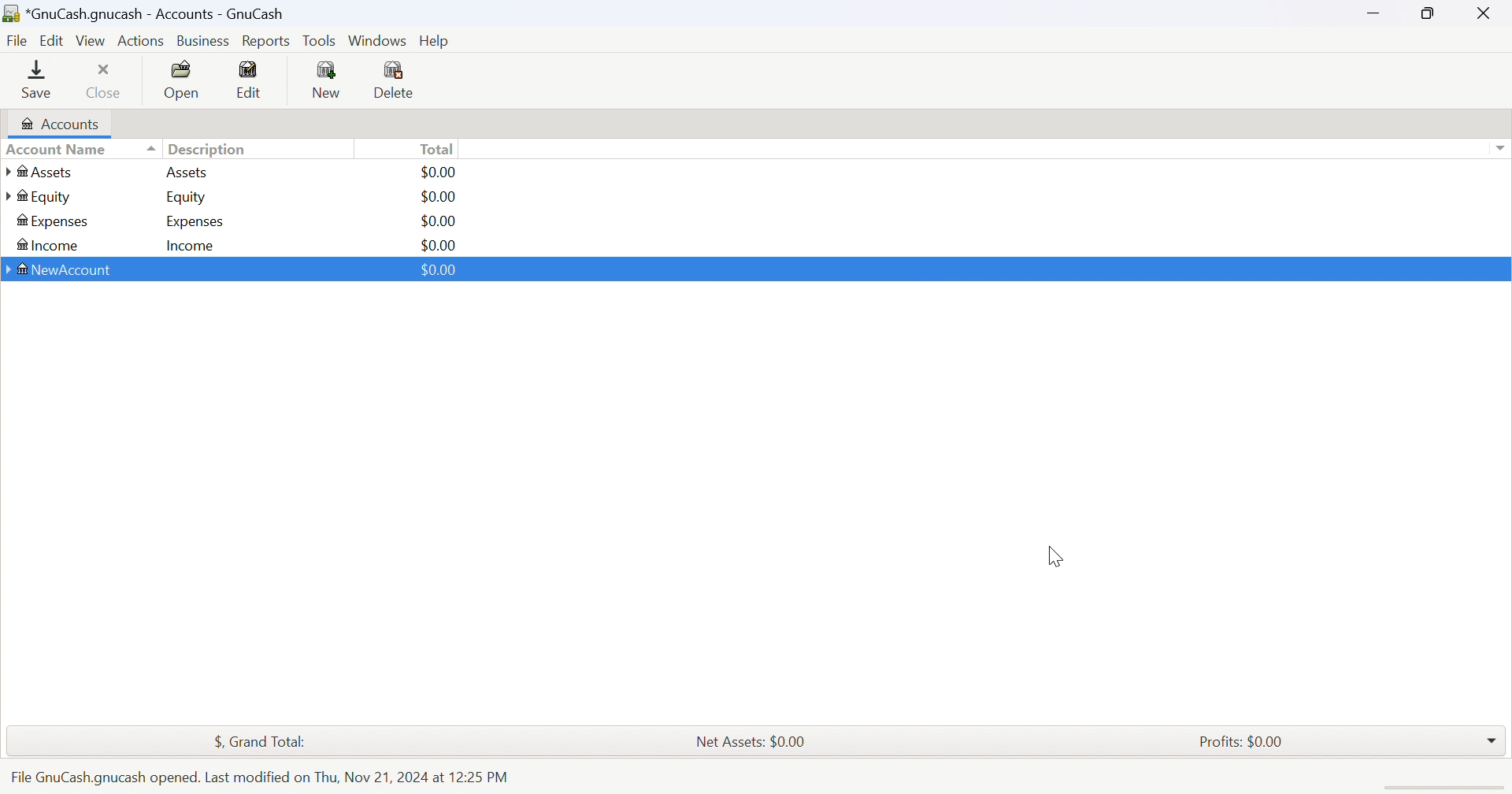 The width and height of the screenshot is (1512, 794). What do you see at coordinates (440, 172) in the screenshot?
I see `$0.00` at bounding box center [440, 172].